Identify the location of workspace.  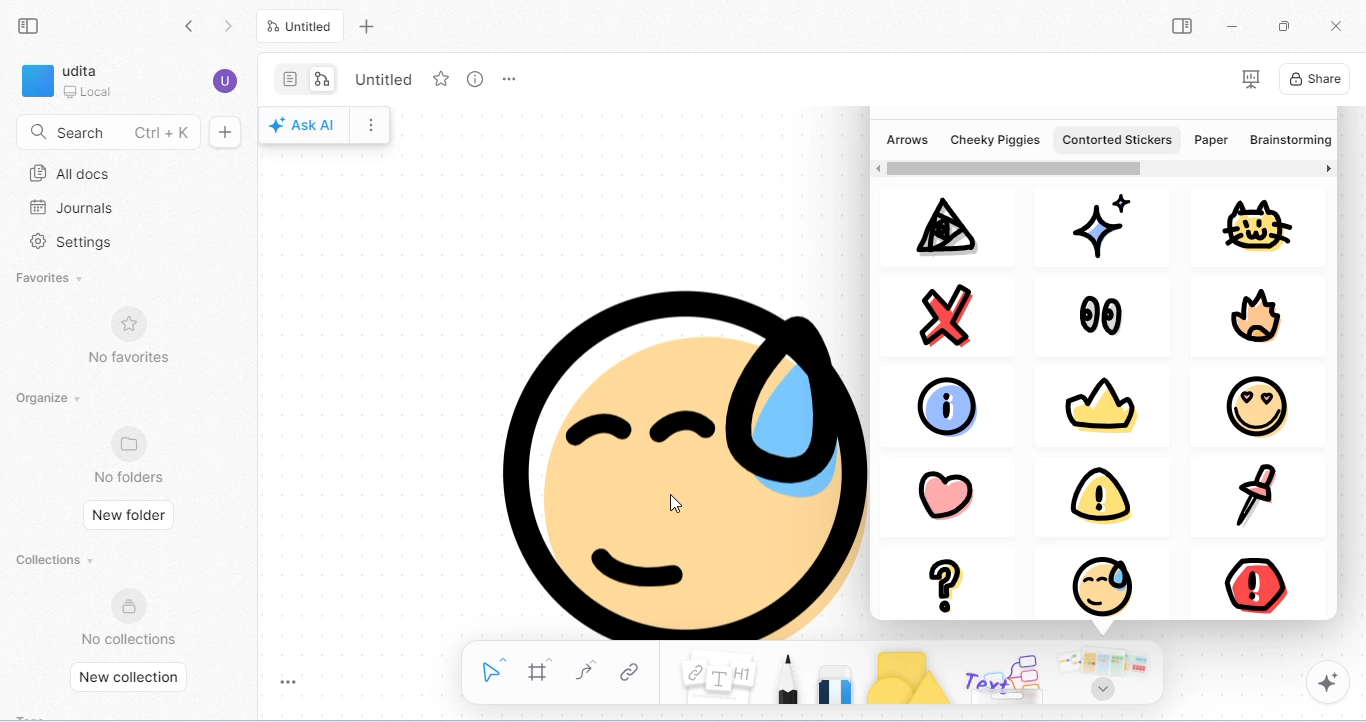
(69, 81).